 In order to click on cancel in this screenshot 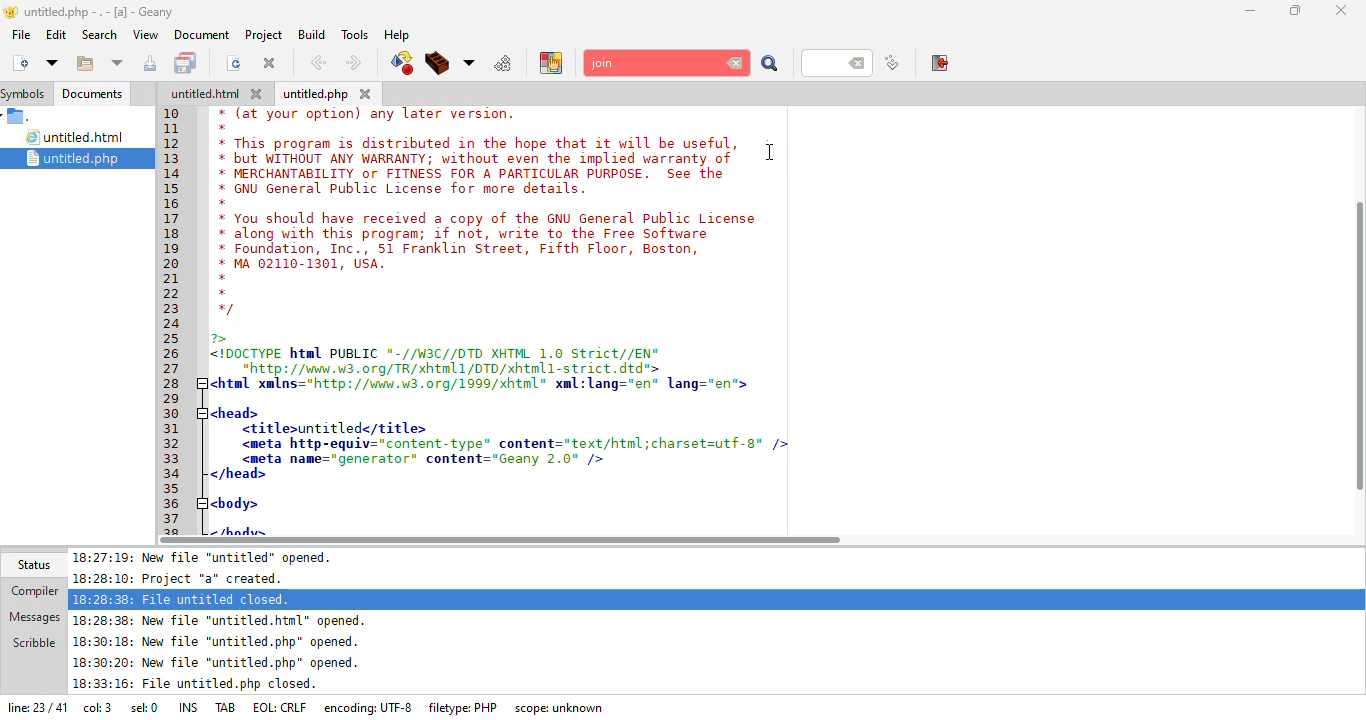, I will do `click(736, 64)`.